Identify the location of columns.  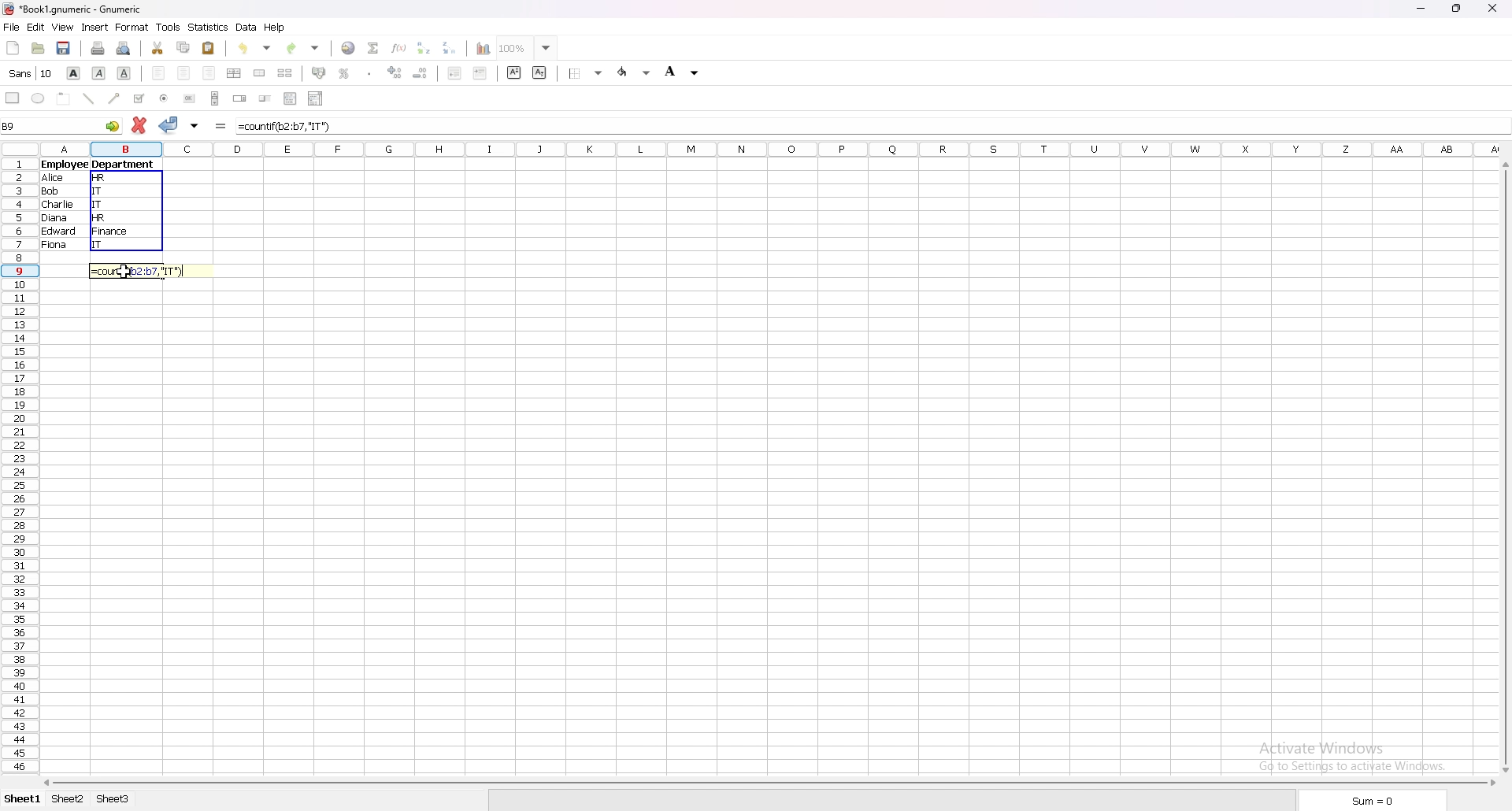
(774, 148).